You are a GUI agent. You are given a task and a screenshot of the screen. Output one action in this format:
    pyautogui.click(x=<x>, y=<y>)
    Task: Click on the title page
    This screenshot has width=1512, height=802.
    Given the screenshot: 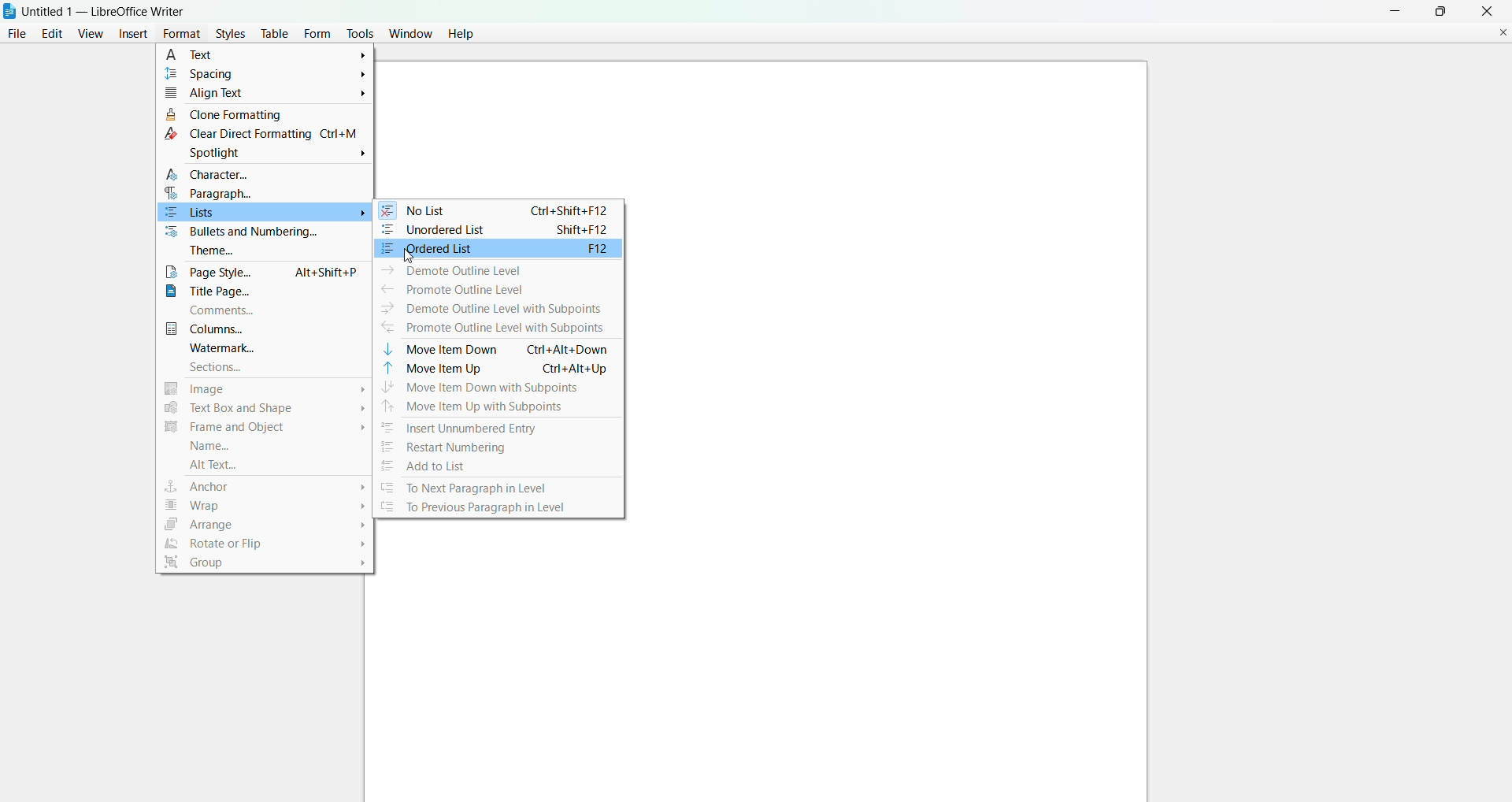 What is the action you would take?
    pyautogui.click(x=213, y=295)
    